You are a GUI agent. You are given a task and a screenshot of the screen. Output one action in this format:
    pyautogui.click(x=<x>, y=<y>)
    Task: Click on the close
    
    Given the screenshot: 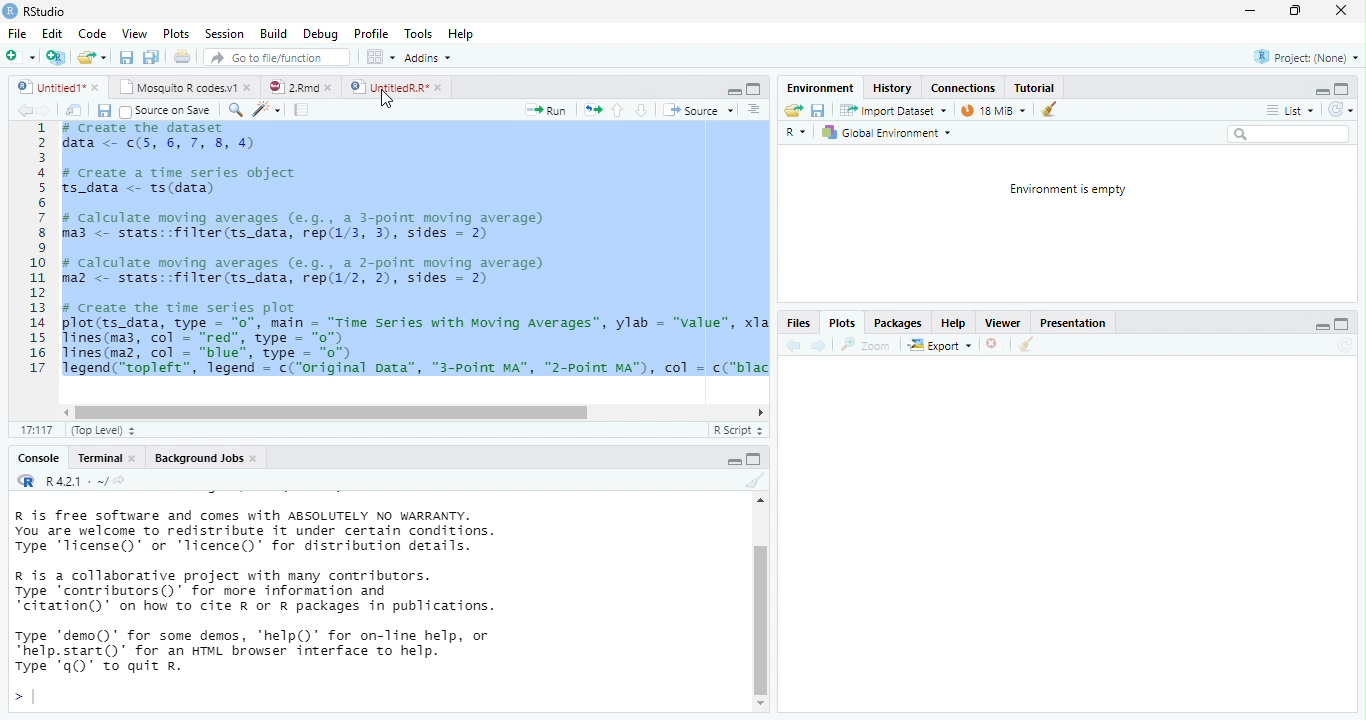 What is the action you would take?
    pyautogui.click(x=1340, y=11)
    